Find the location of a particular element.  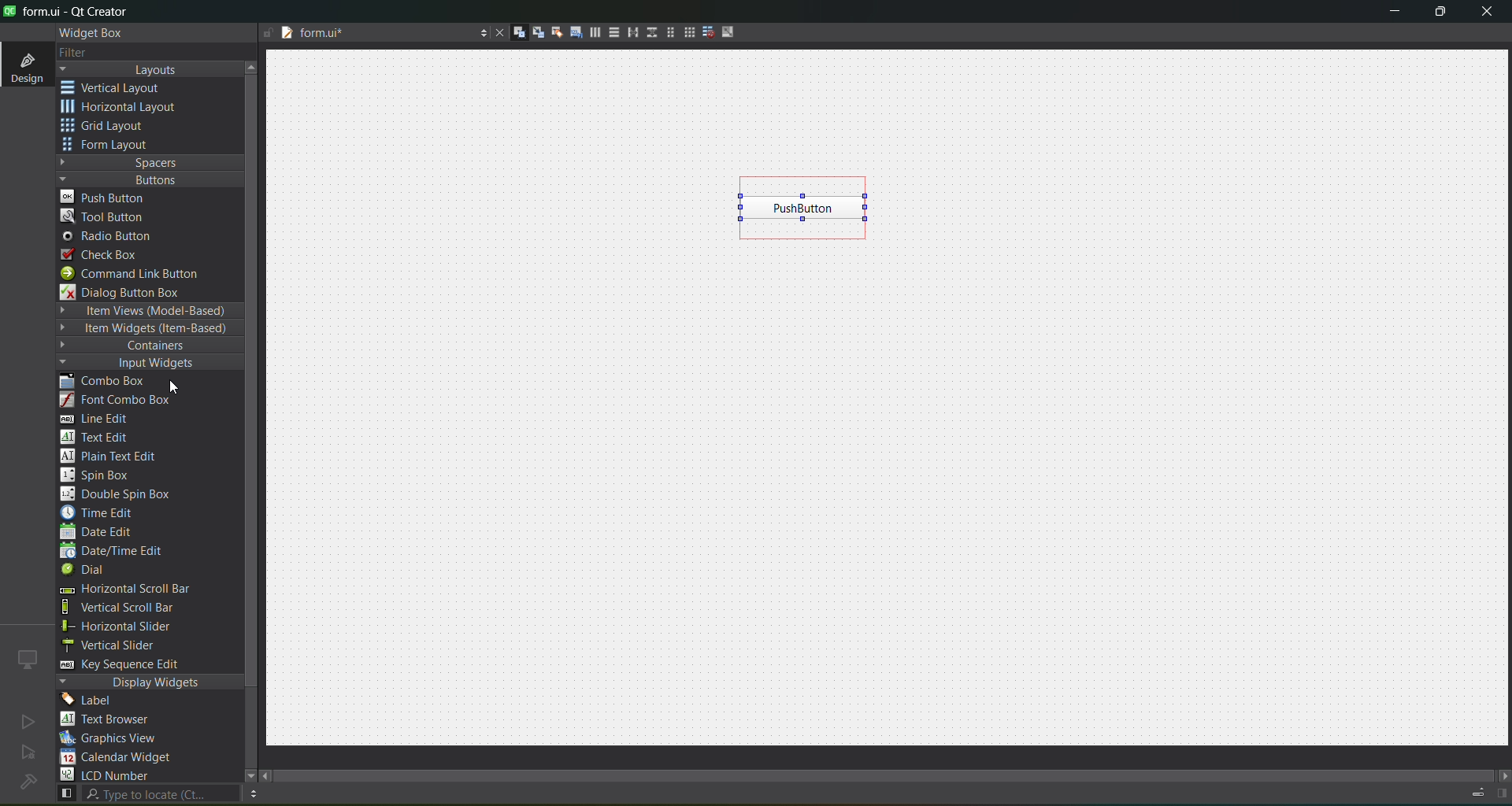

break layout is located at coordinates (704, 33).